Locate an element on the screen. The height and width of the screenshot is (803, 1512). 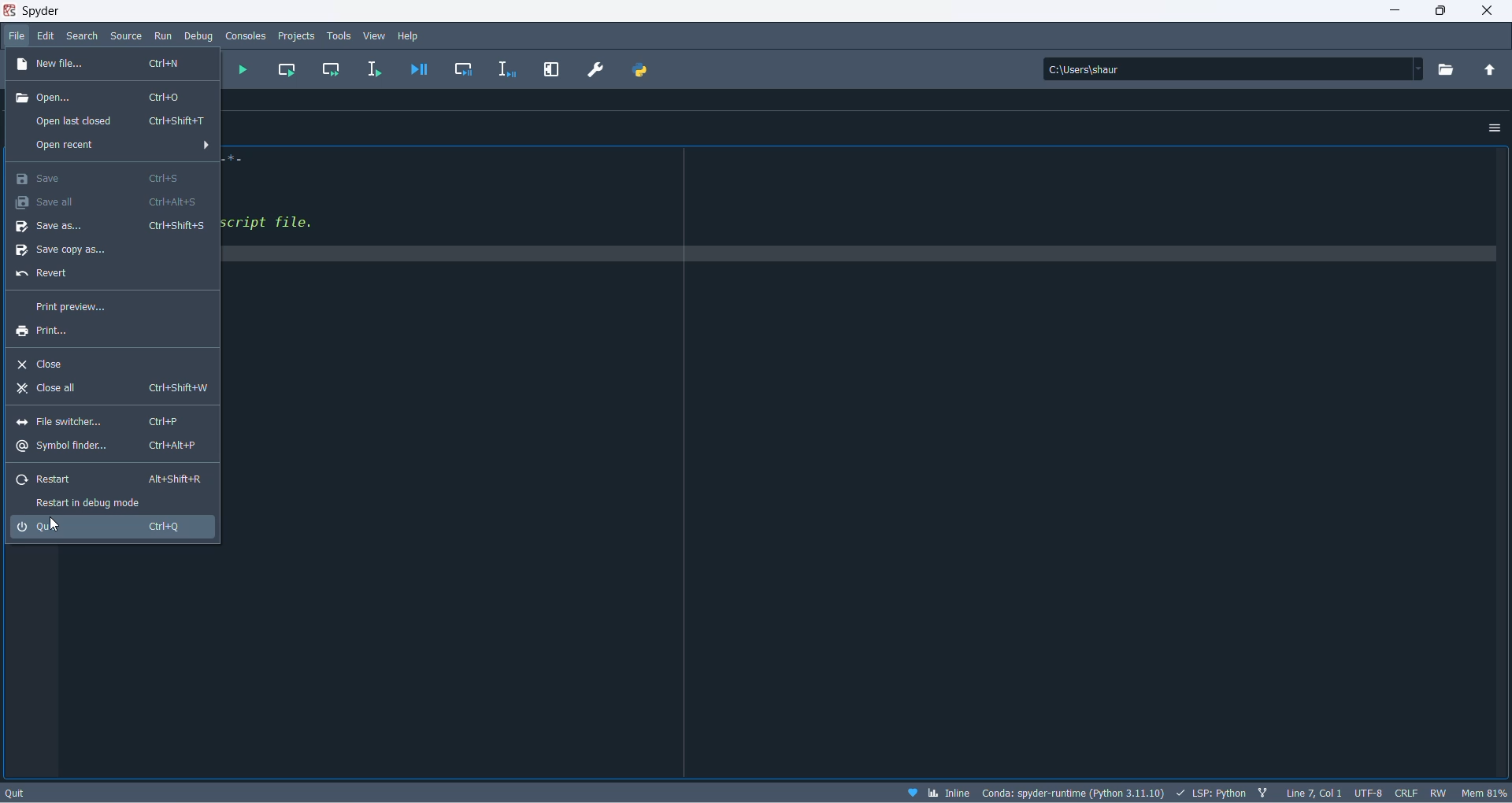
run selection is located at coordinates (375, 71).